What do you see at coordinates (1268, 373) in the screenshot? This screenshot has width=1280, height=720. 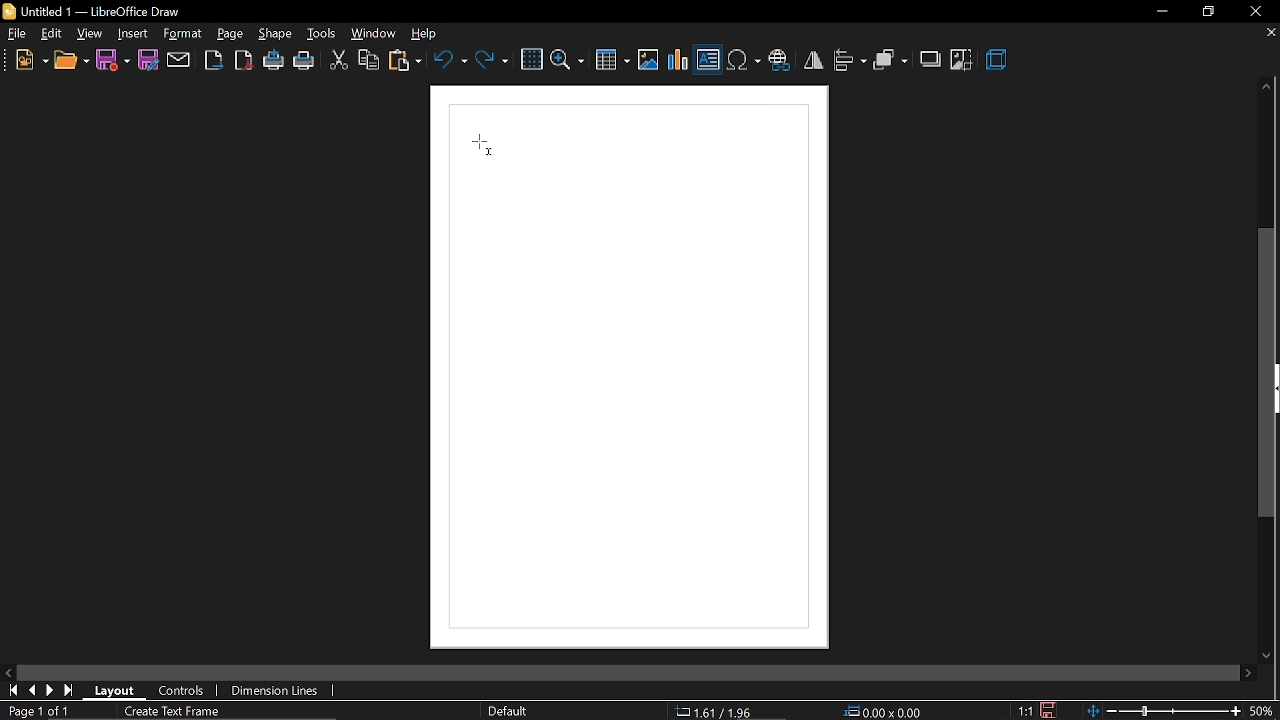 I see `vertical scrollbar` at bounding box center [1268, 373].